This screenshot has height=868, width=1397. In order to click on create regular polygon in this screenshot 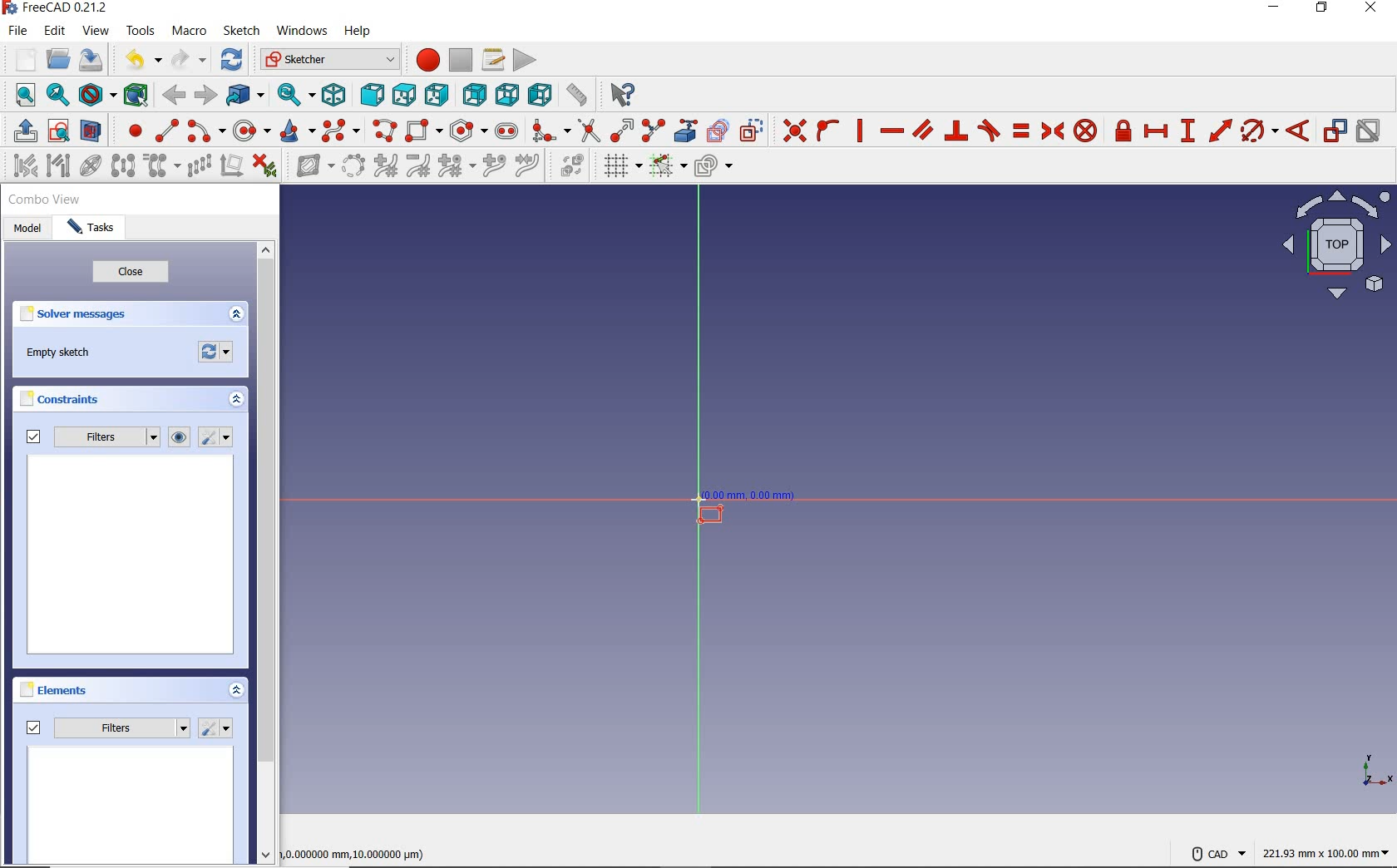, I will do `click(467, 131)`.